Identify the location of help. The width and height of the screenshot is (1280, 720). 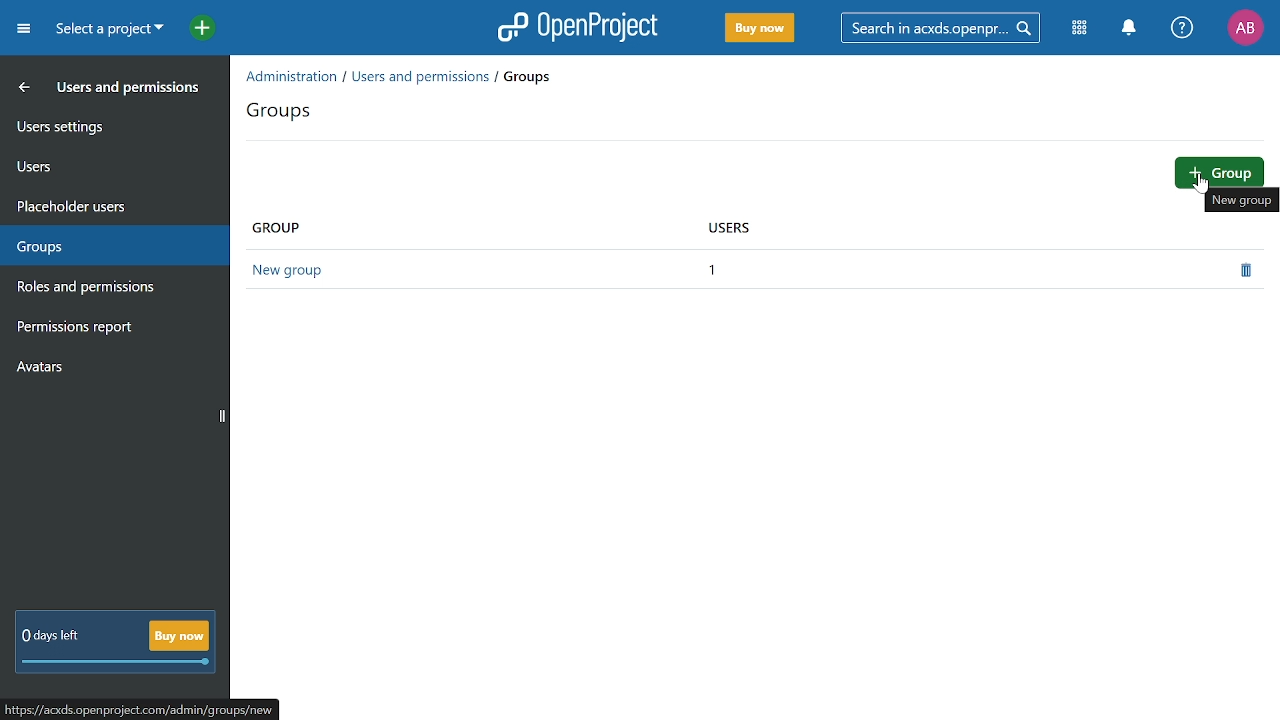
(1182, 28).